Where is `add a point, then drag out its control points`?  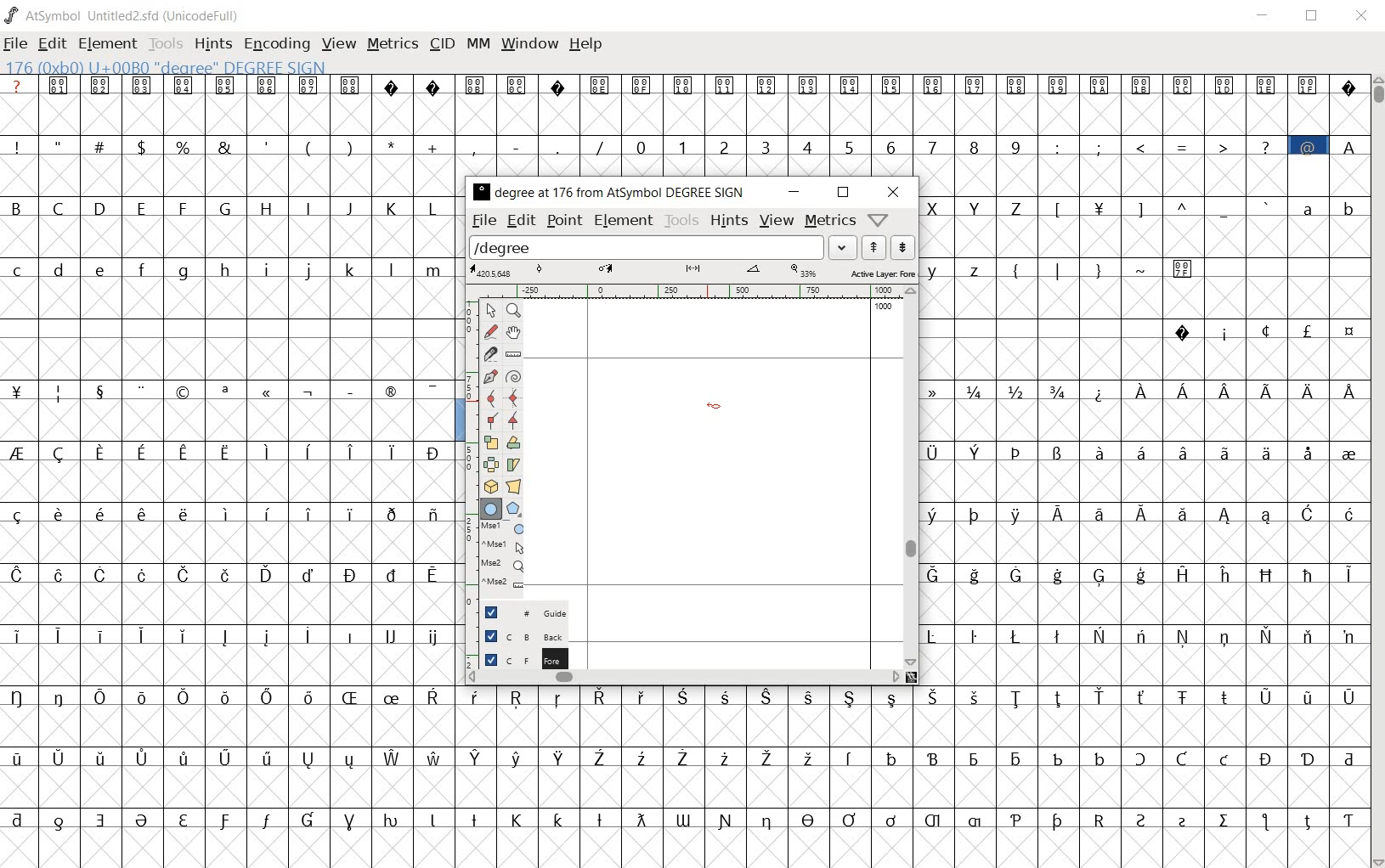 add a point, then drag out its control points is located at coordinates (488, 375).